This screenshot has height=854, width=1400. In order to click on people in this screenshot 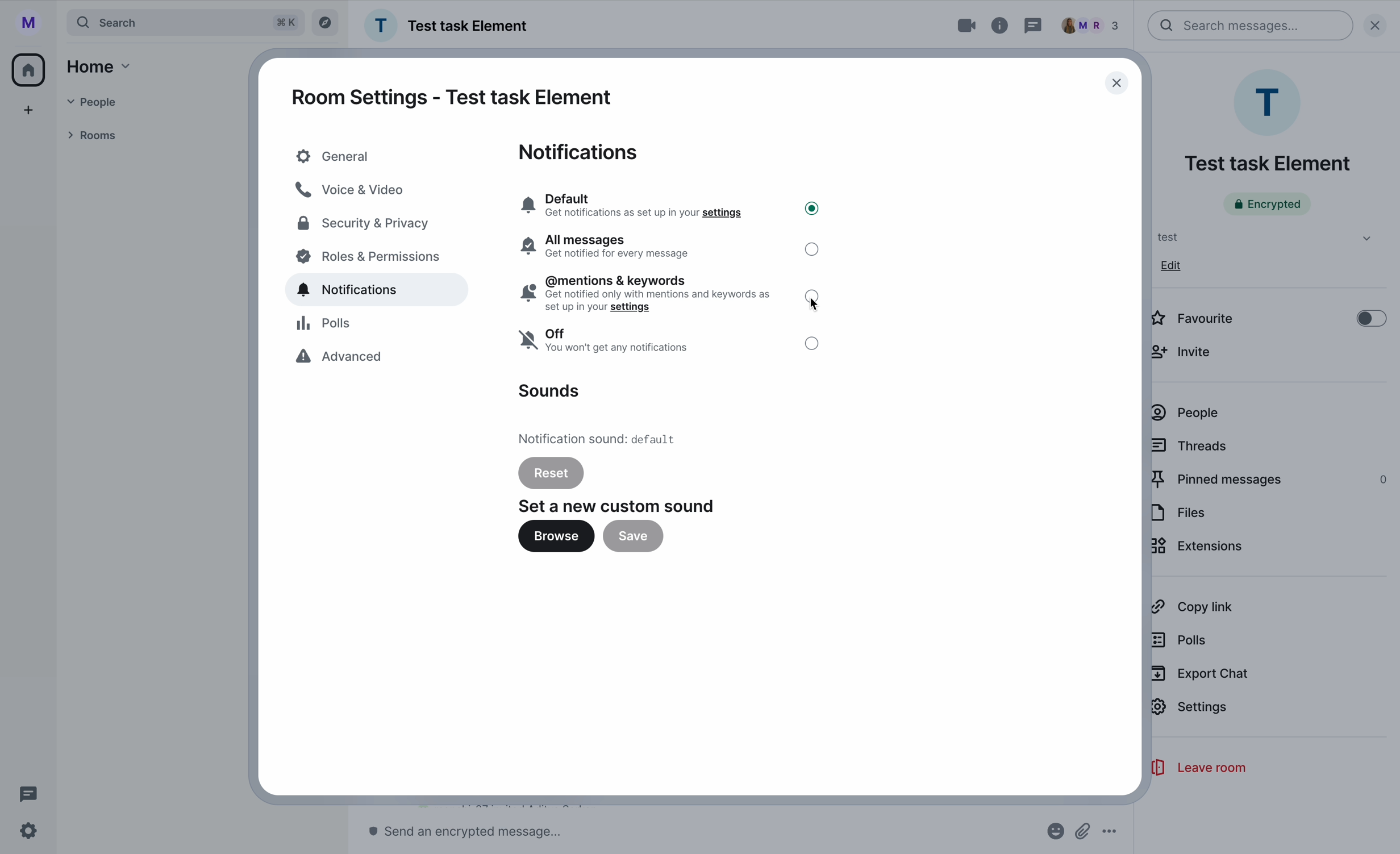, I will do `click(1186, 413)`.